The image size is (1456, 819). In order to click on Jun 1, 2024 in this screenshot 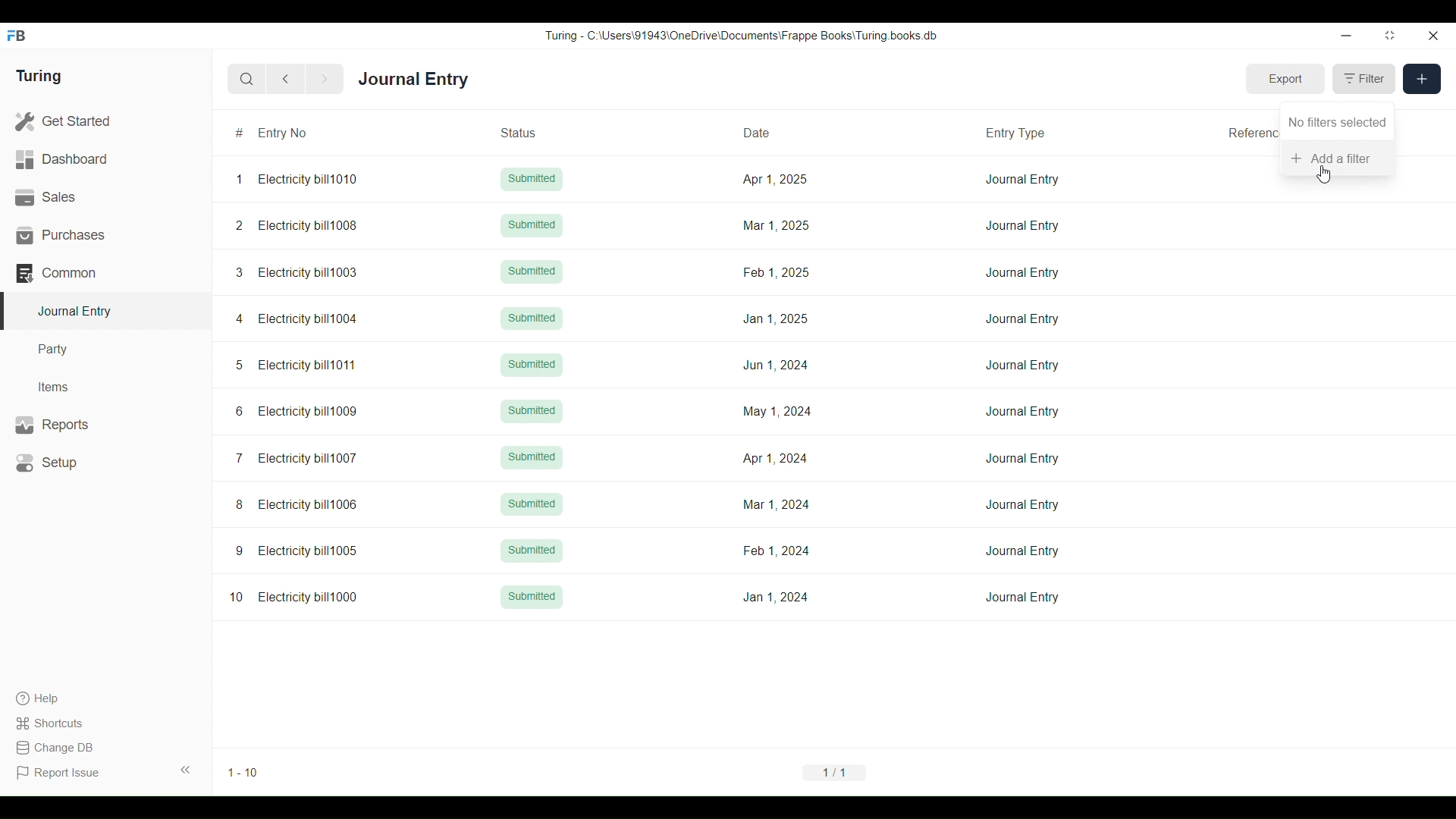, I will do `click(776, 365)`.